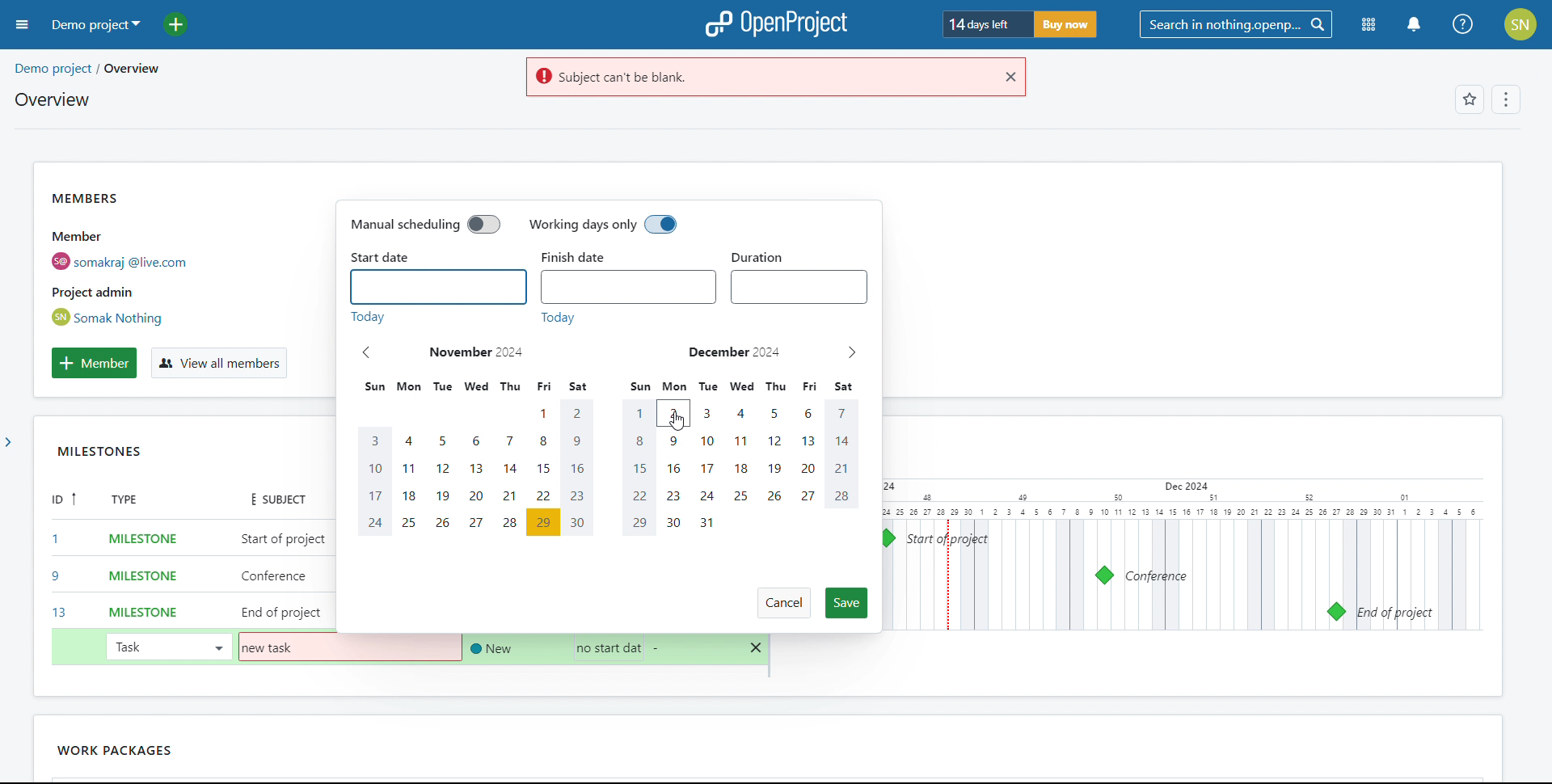 The width and height of the screenshot is (1552, 784). I want to click on duration, so click(799, 287).